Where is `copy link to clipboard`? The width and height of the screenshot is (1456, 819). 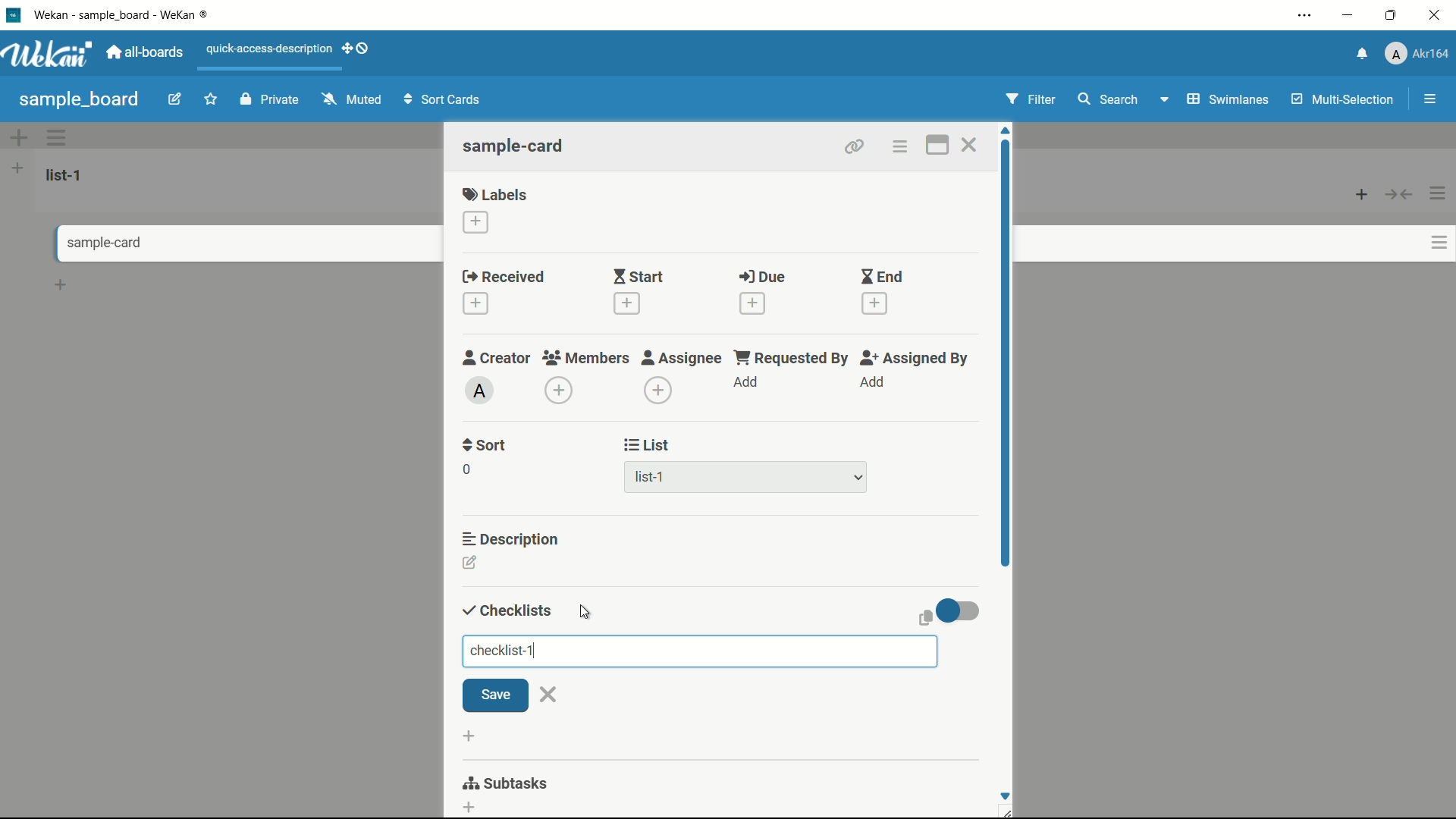 copy link to clipboard is located at coordinates (852, 146).